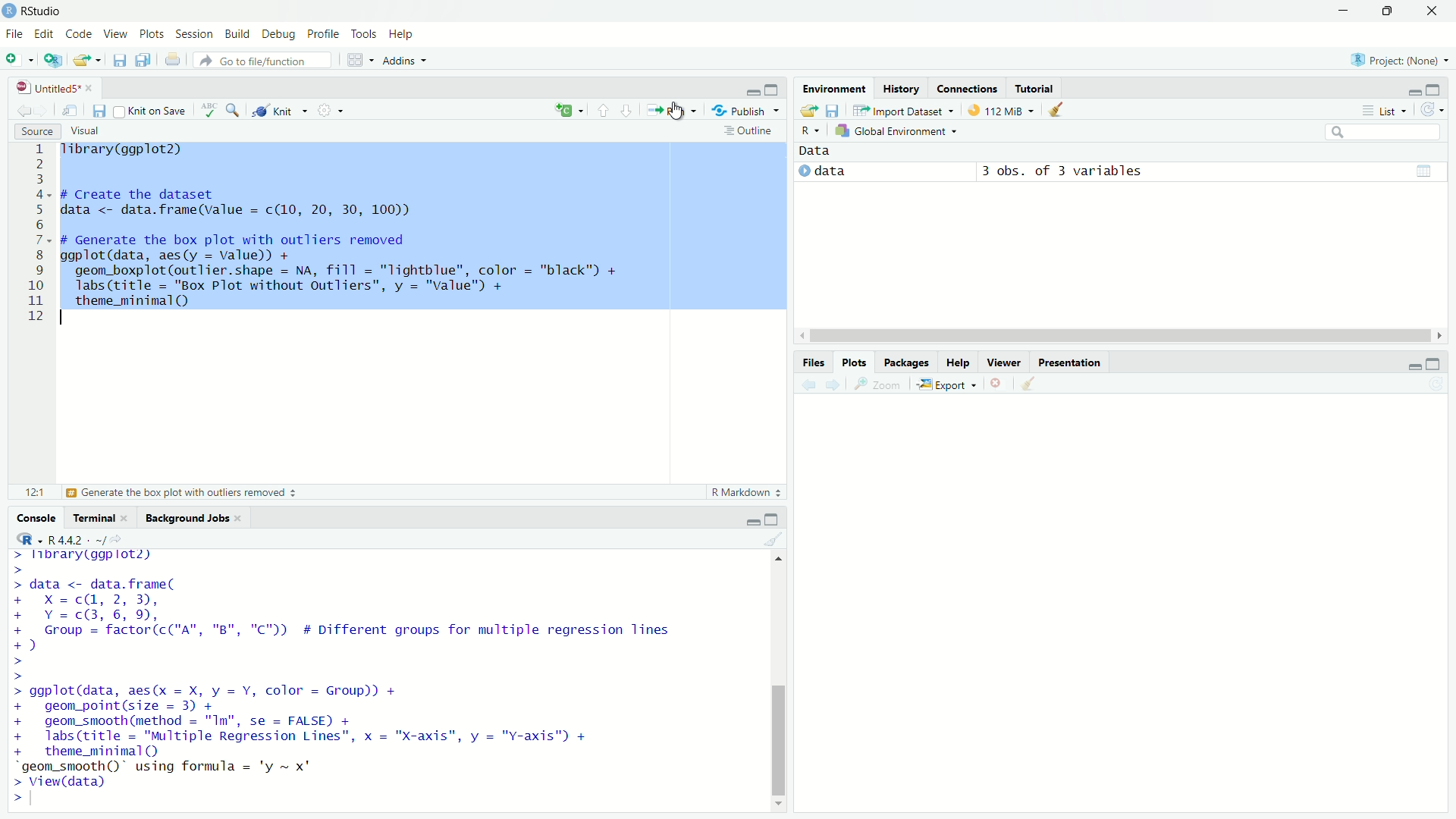 This screenshot has height=819, width=1456. I want to click on I Debug, so click(280, 35).